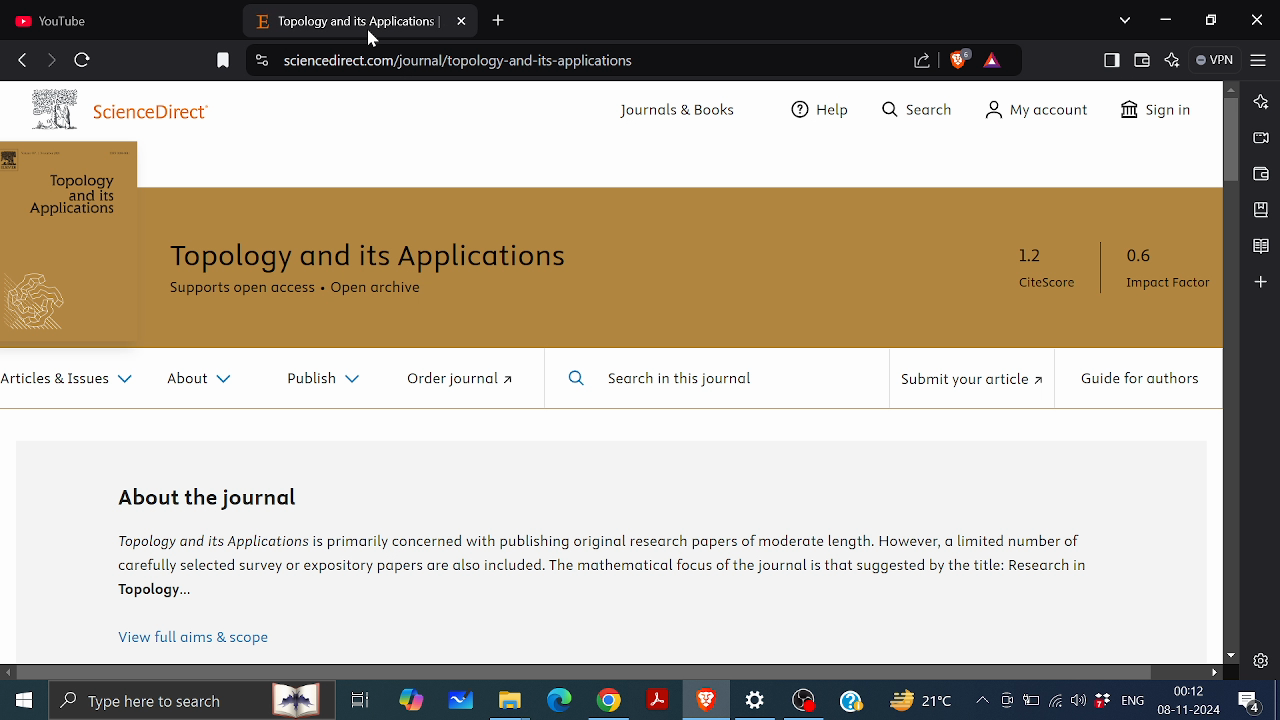 This screenshot has width=1280, height=720. Describe the element at coordinates (1112, 60) in the screenshot. I see `Show sidebar` at that location.